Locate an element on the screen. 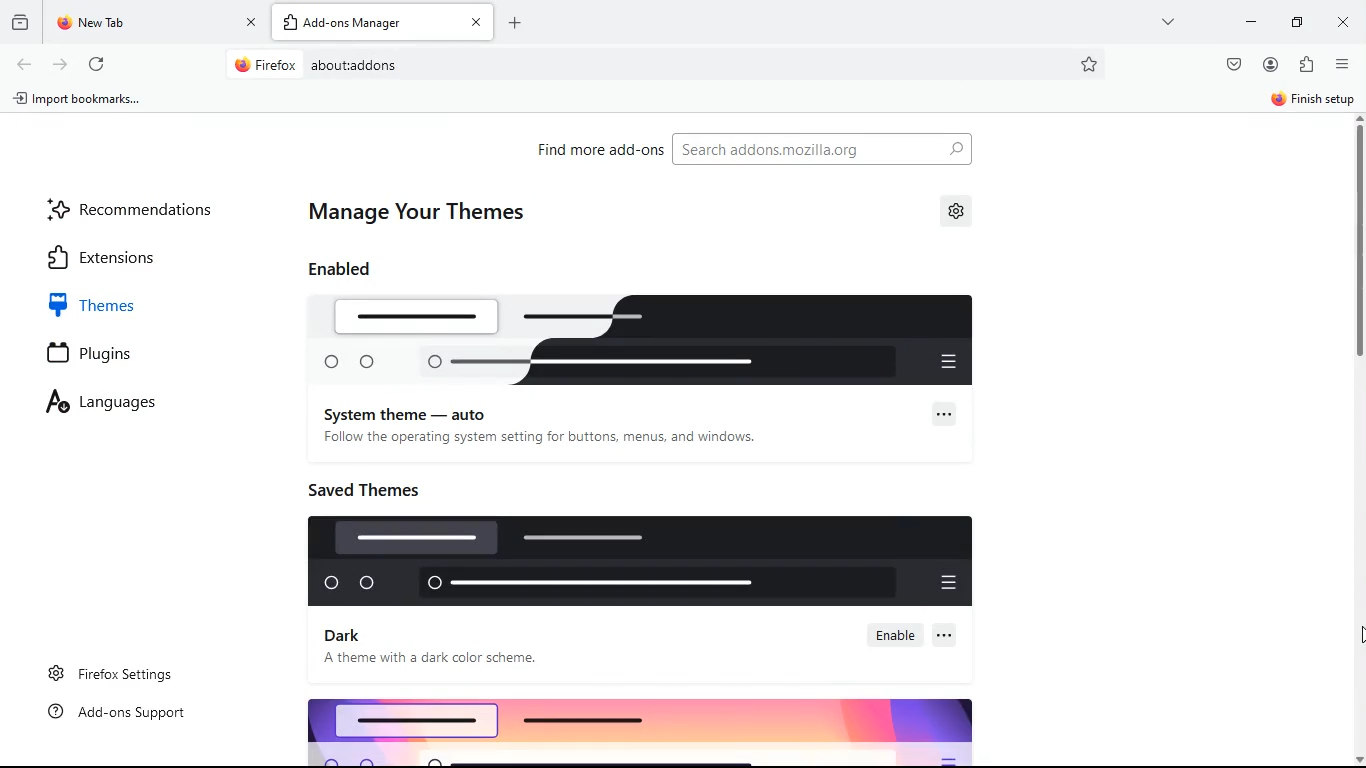 The image size is (1366, 768). themes is located at coordinates (109, 305).